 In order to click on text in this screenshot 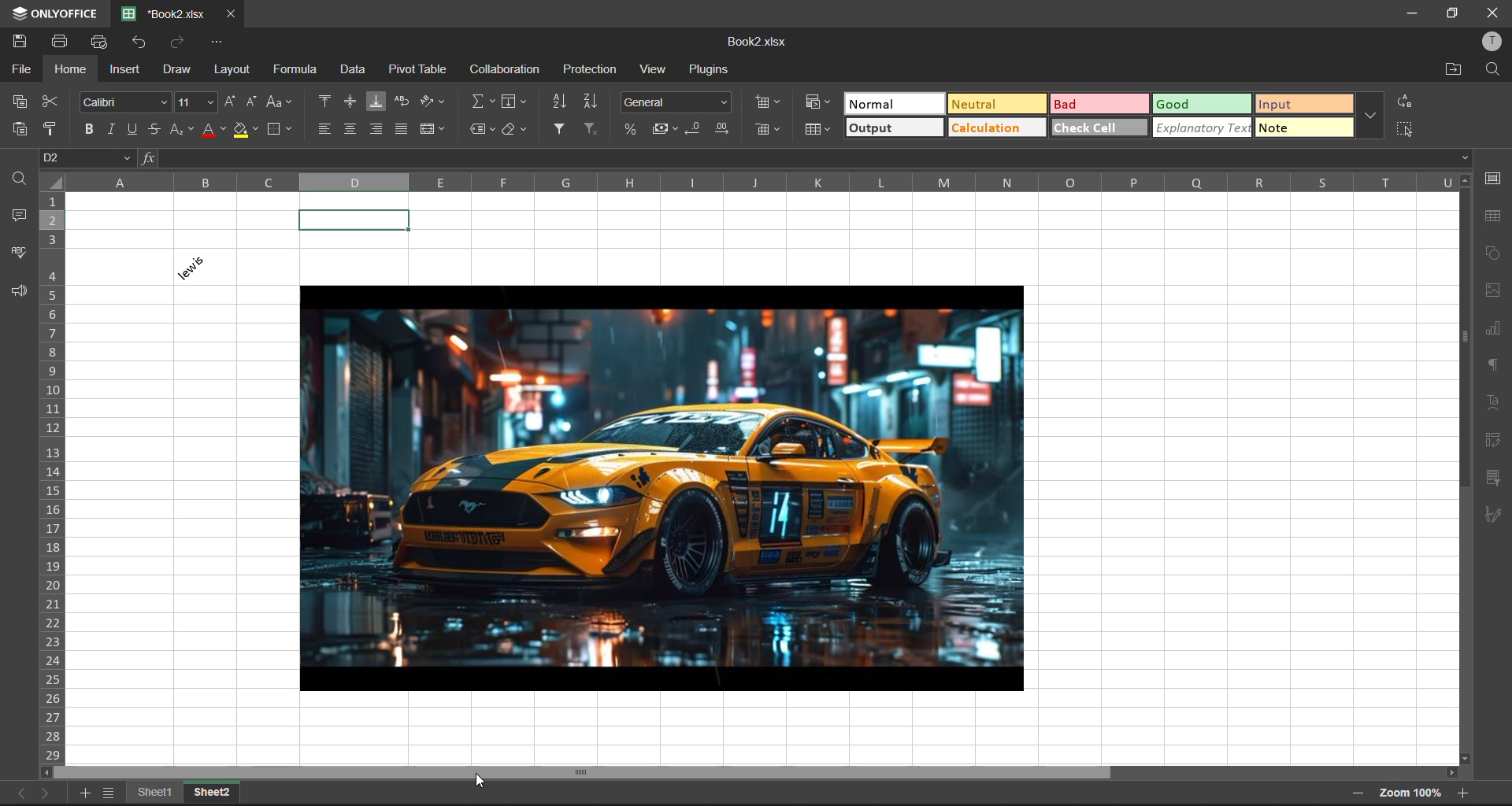, I will do `click(1493, 401)`.